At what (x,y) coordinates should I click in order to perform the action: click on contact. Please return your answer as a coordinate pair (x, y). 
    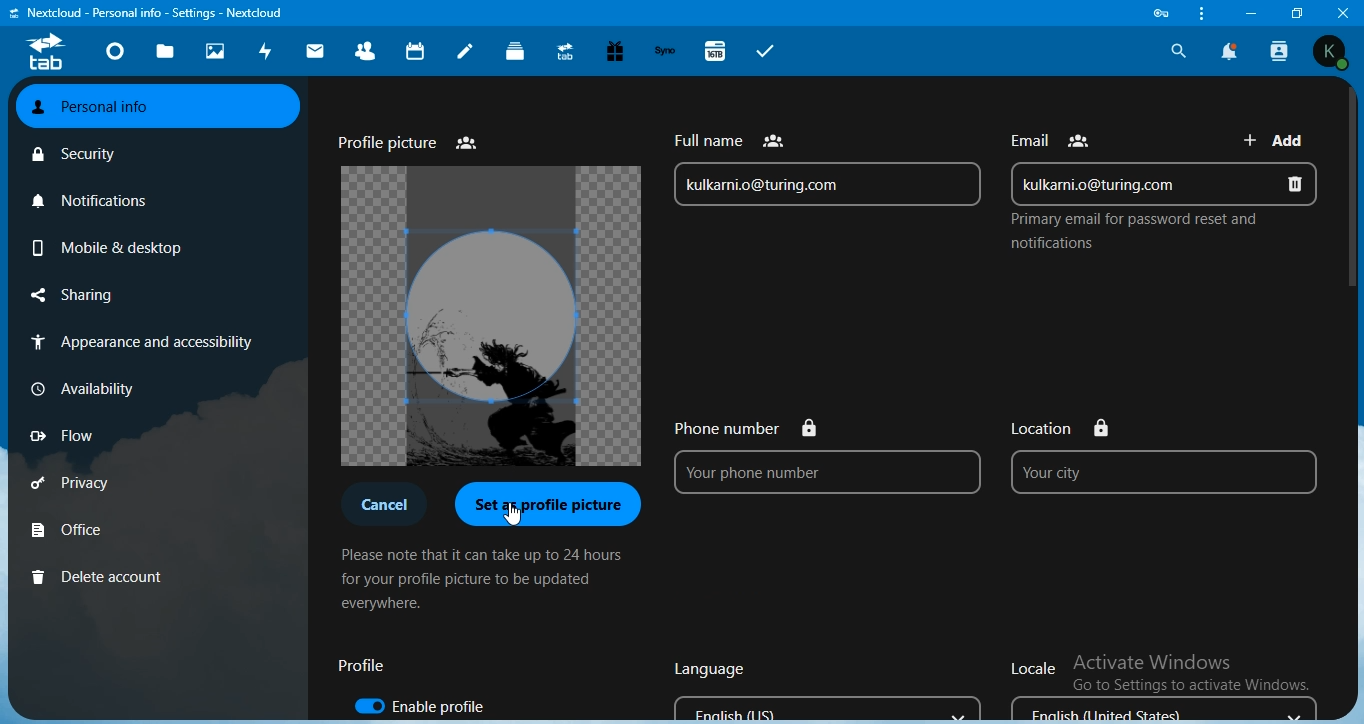
    Looking at the image, I should click on (366, 50).